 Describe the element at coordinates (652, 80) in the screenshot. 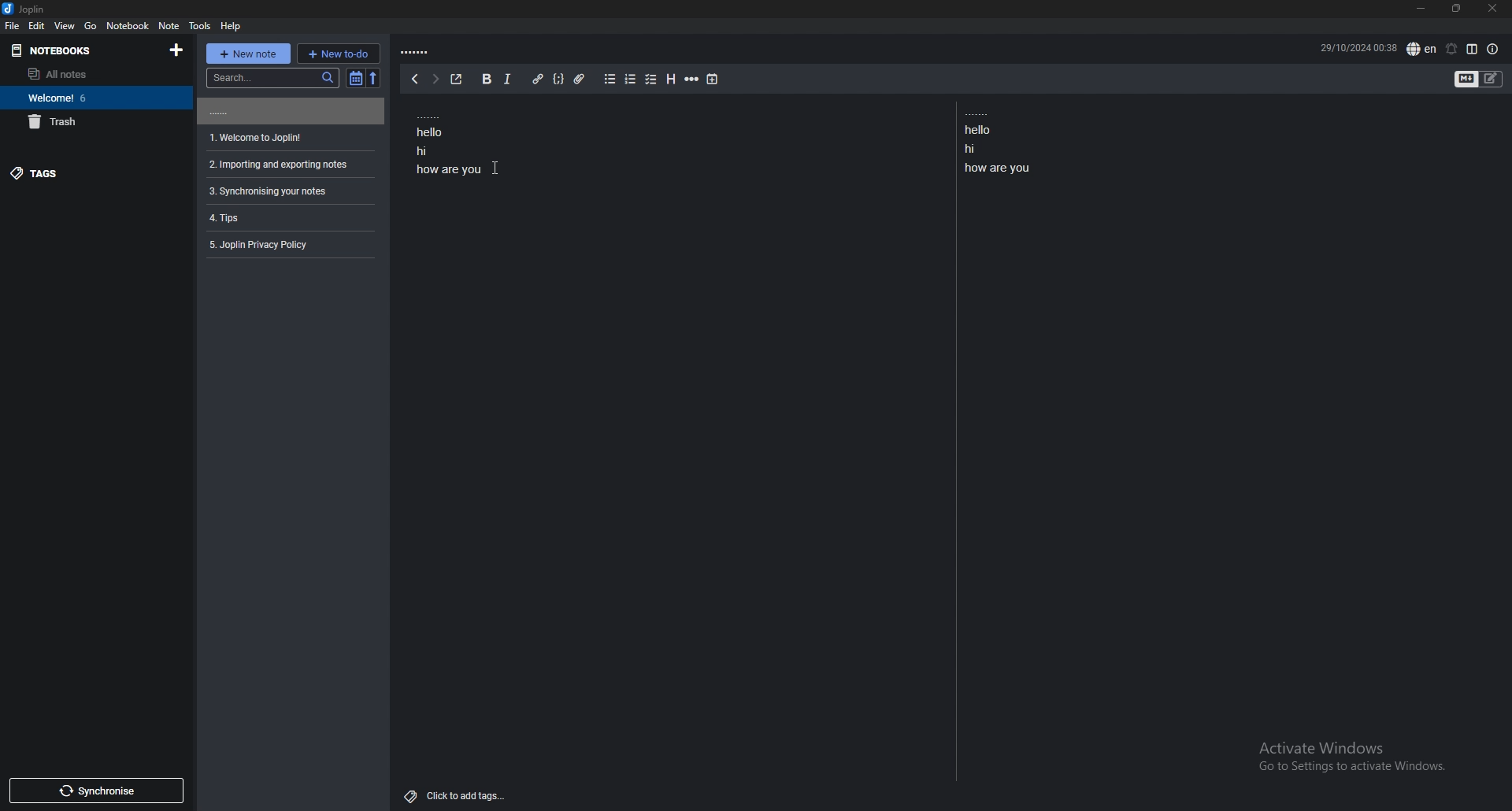

I see `checkbox` at that location.